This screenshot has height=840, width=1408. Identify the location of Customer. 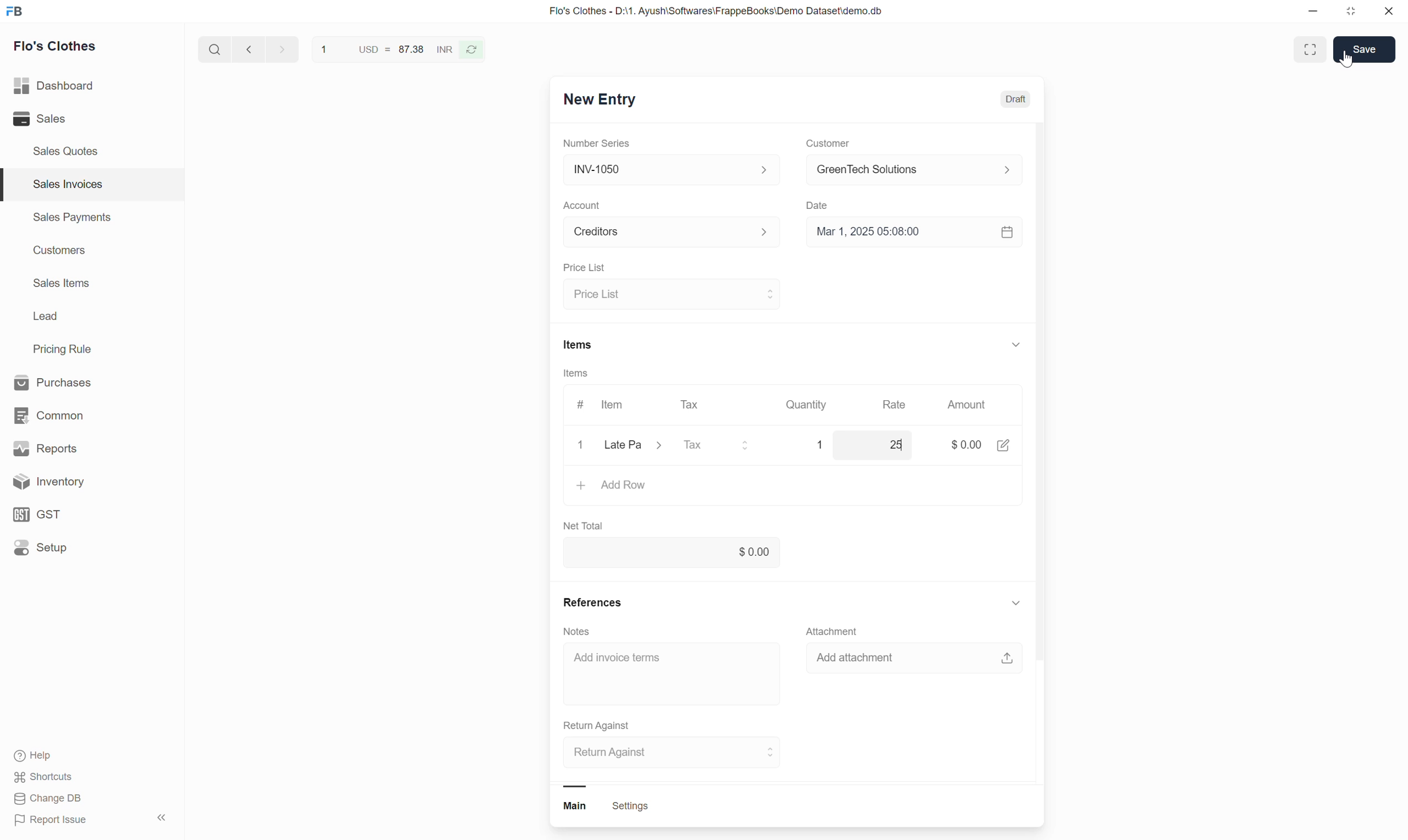
(827, 144).